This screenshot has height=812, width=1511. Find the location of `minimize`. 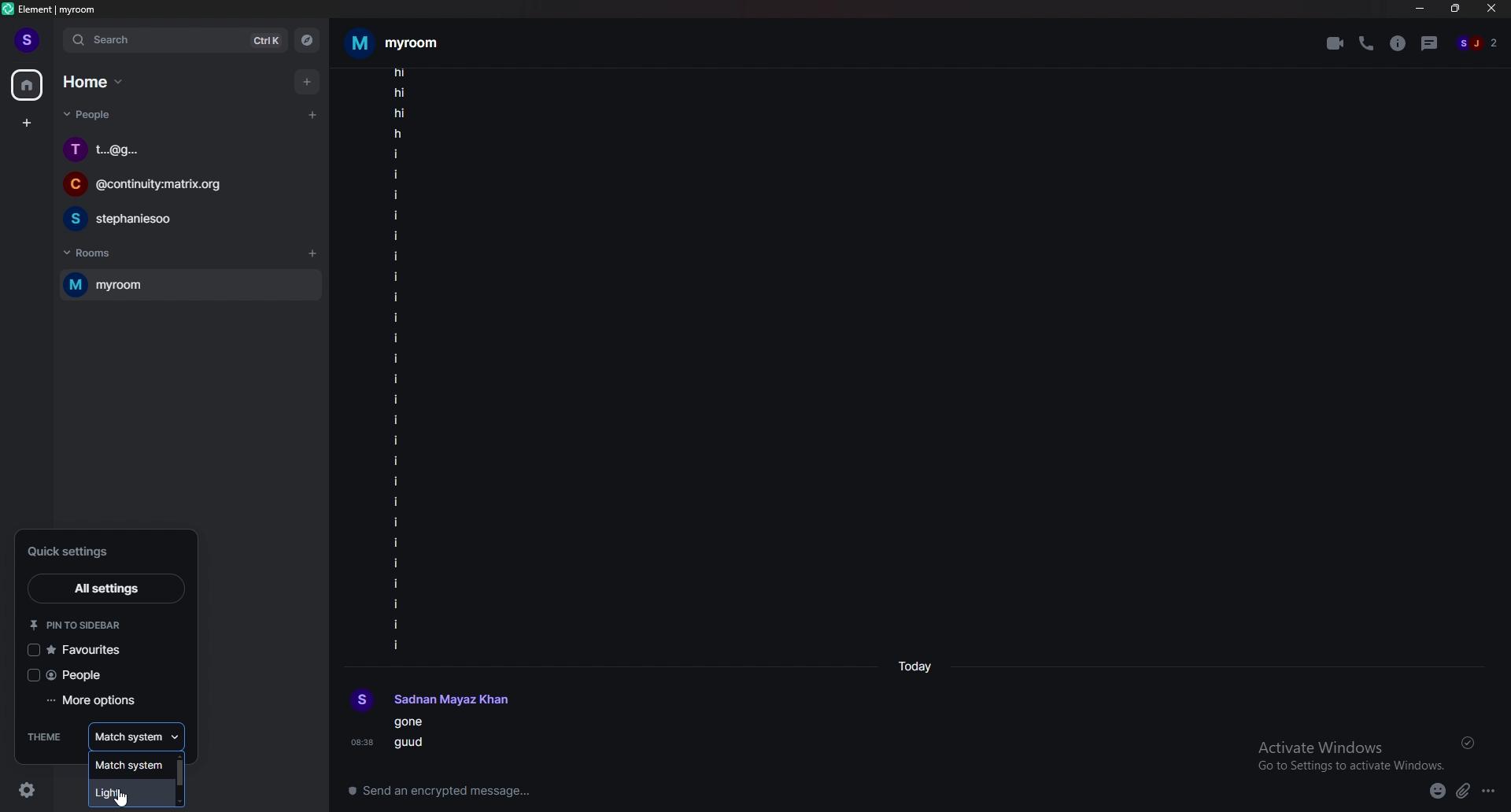

minimize is located at coordinates (1419, 9).